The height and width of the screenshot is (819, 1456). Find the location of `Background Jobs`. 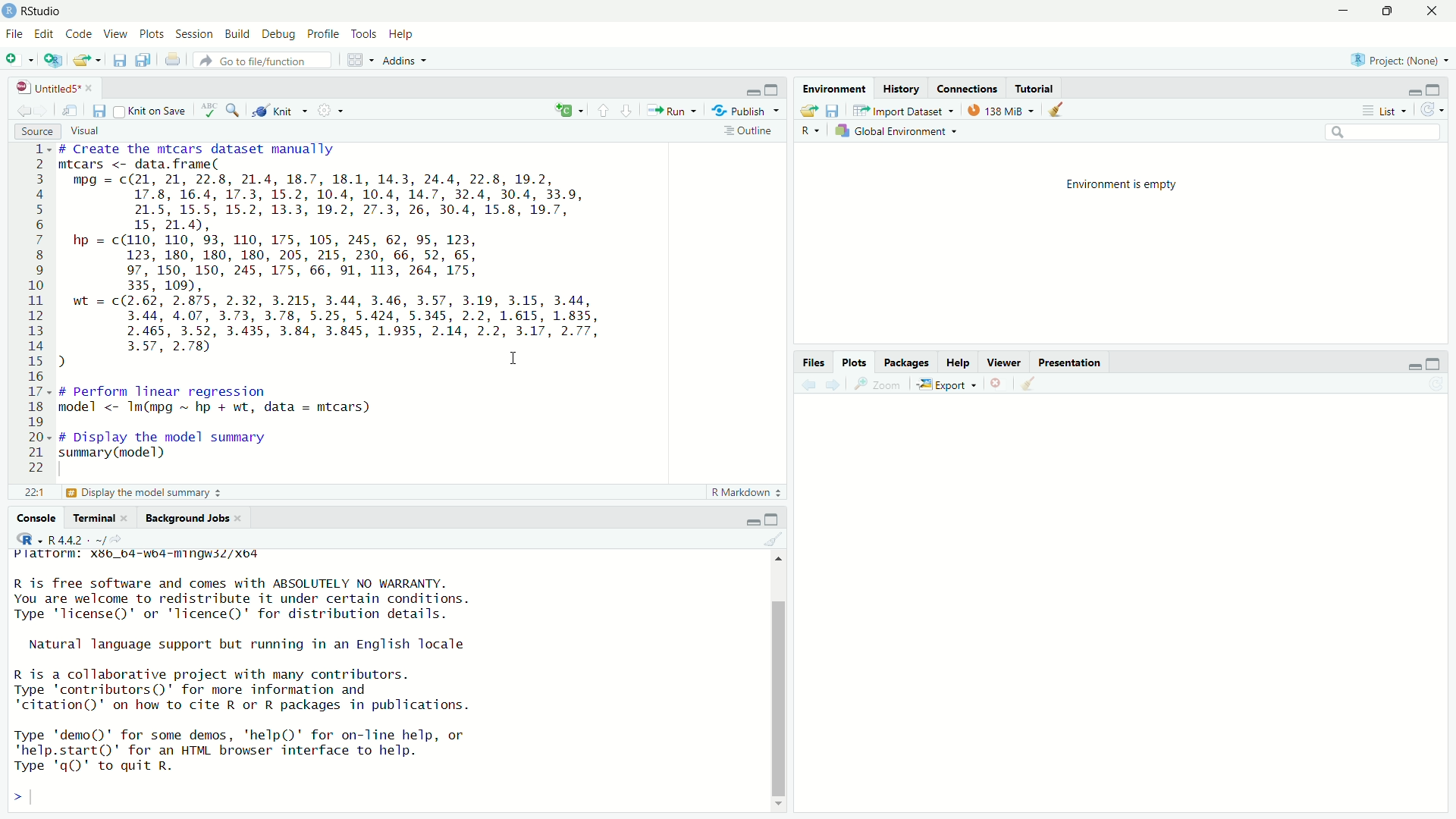

Background Jobs is located at coordinates (189, 519).